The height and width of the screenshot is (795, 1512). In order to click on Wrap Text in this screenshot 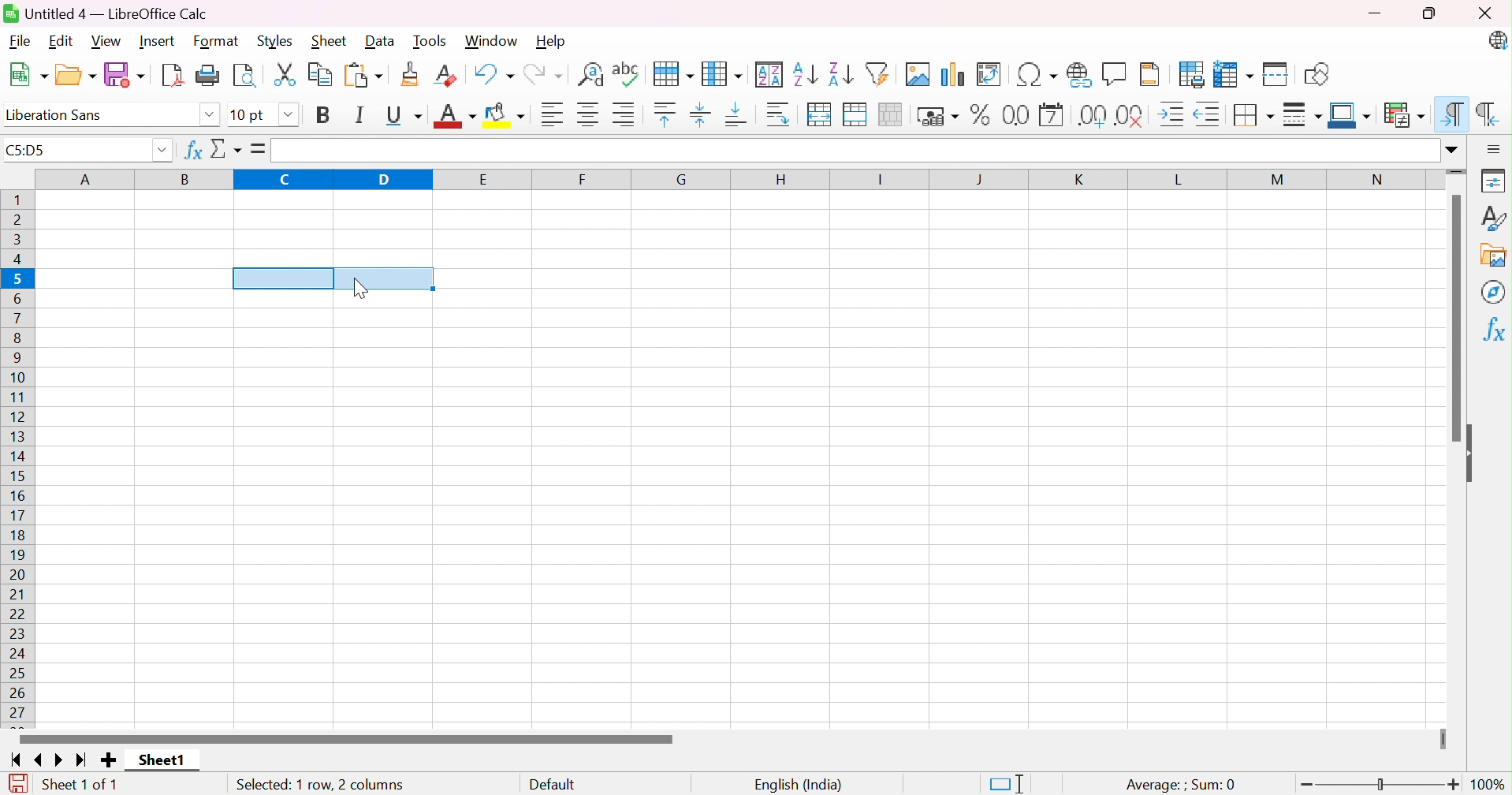, I will do `click(779, 114)`.